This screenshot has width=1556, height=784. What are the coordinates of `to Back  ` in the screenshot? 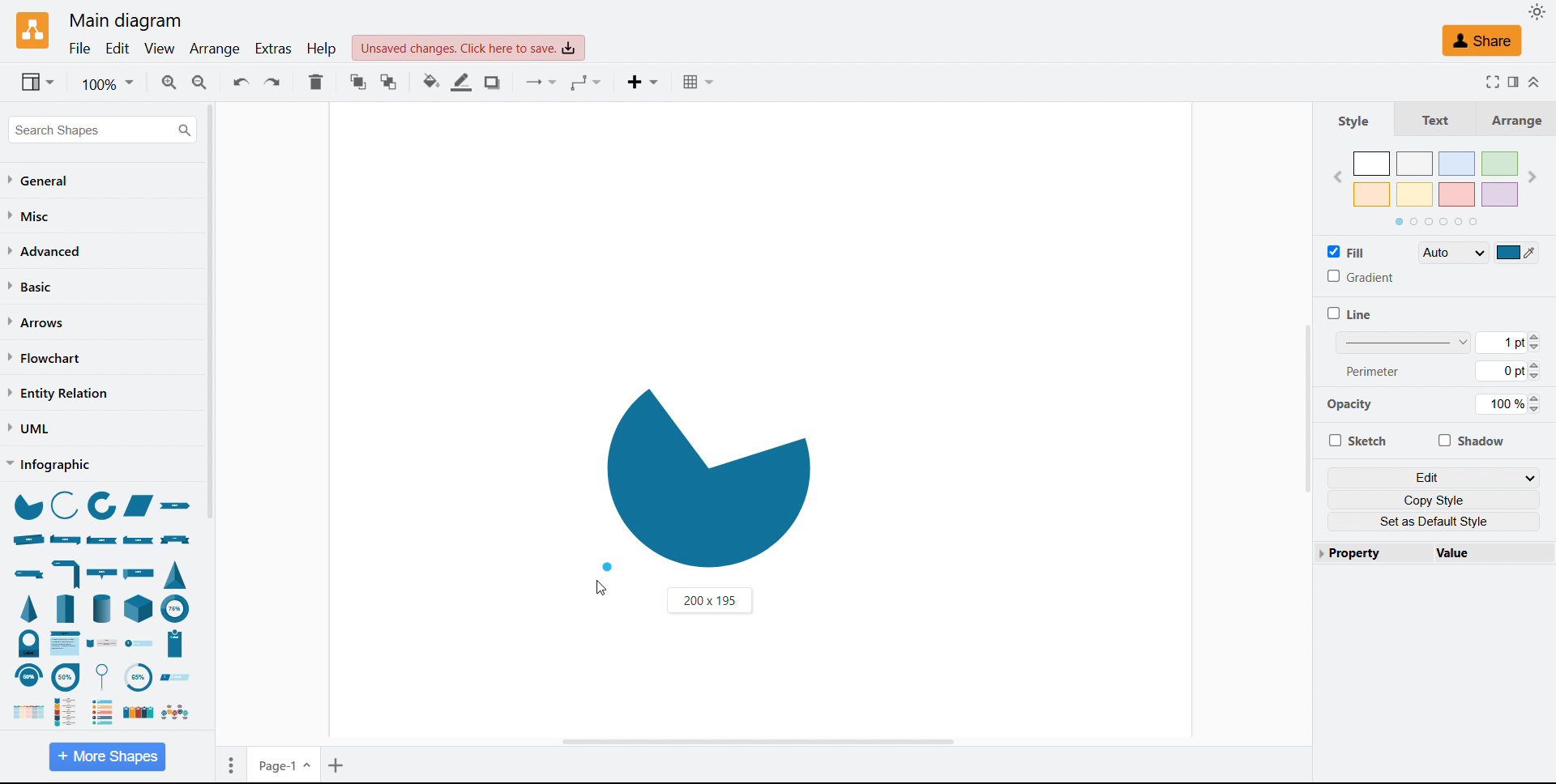 It's located at (389, 82).